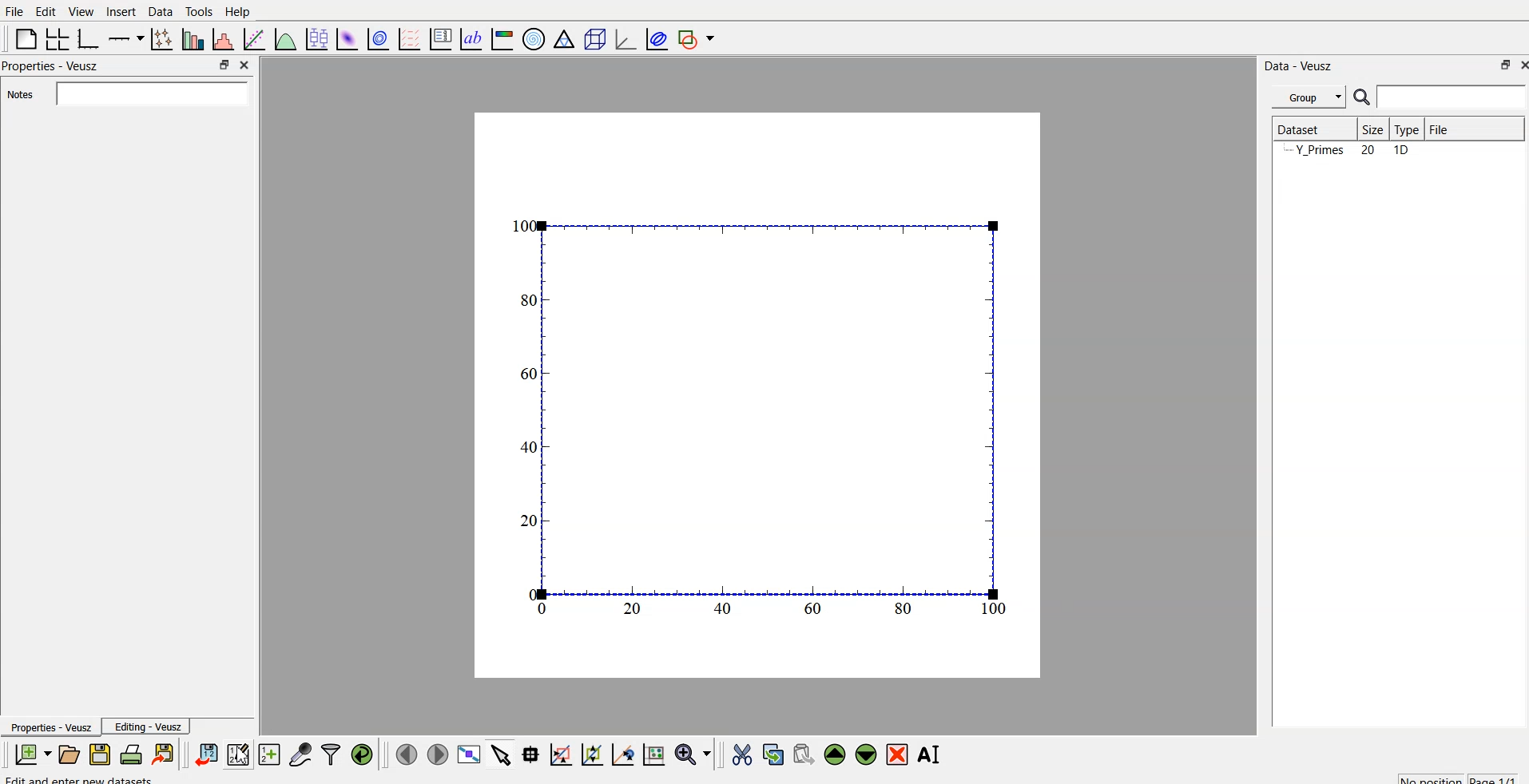 The width and height of the screenshot is (1529, 784). Describe the element at coordinates (166, 754) in the screenshot. I see `export to graphics format` at that location.